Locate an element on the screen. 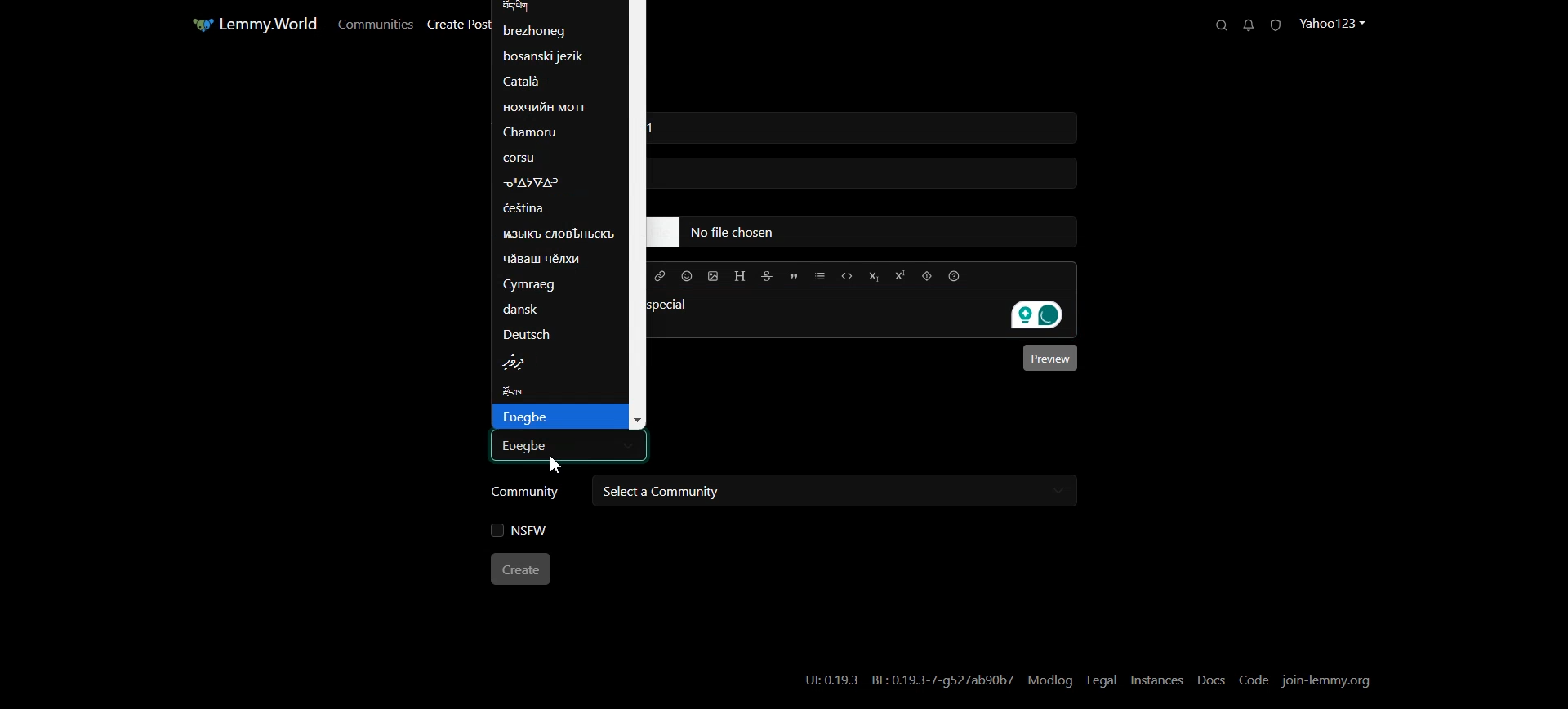  typing field is located at coordinates (866, 127).